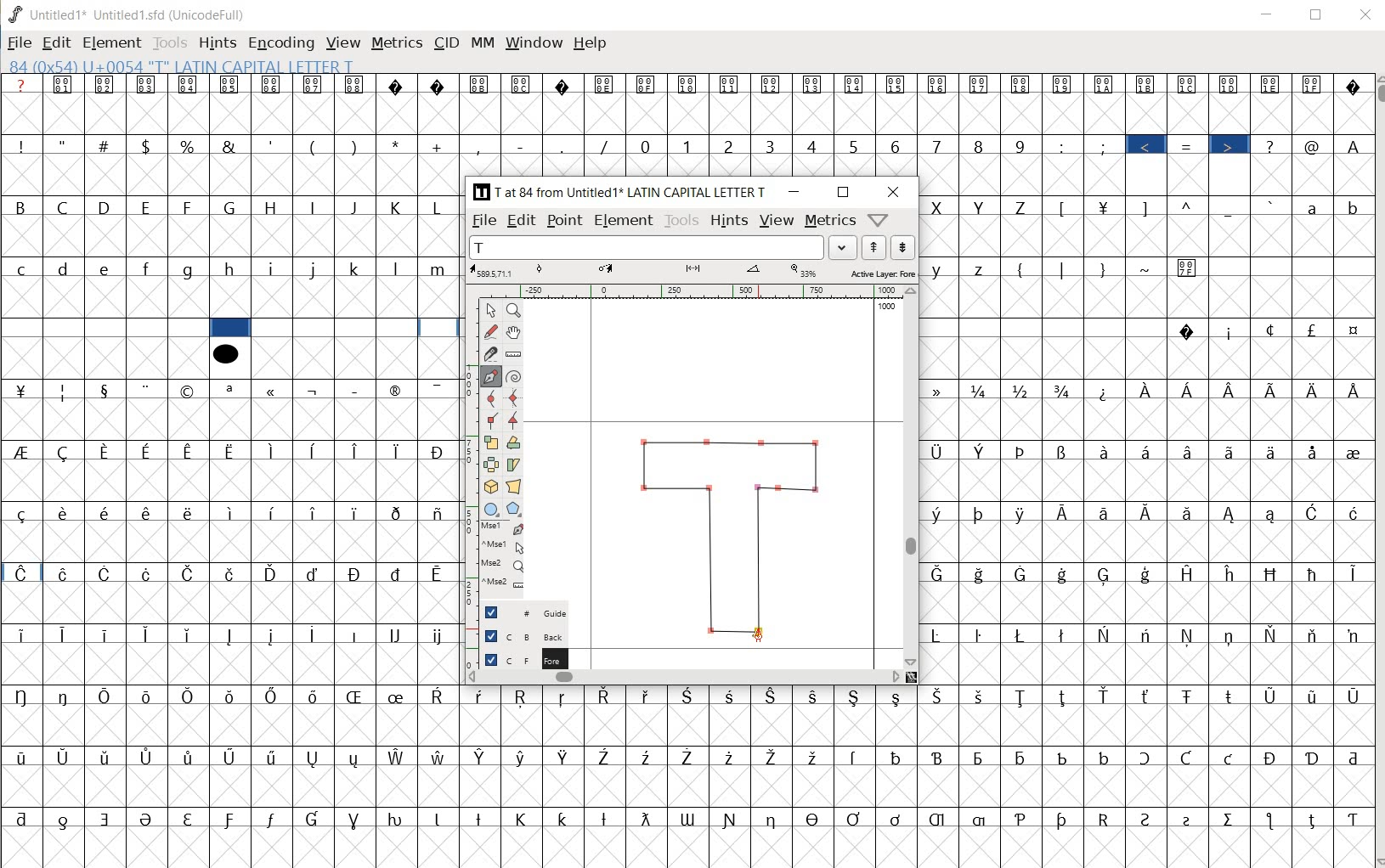  I want to click on Symbol, so click(482, 696).